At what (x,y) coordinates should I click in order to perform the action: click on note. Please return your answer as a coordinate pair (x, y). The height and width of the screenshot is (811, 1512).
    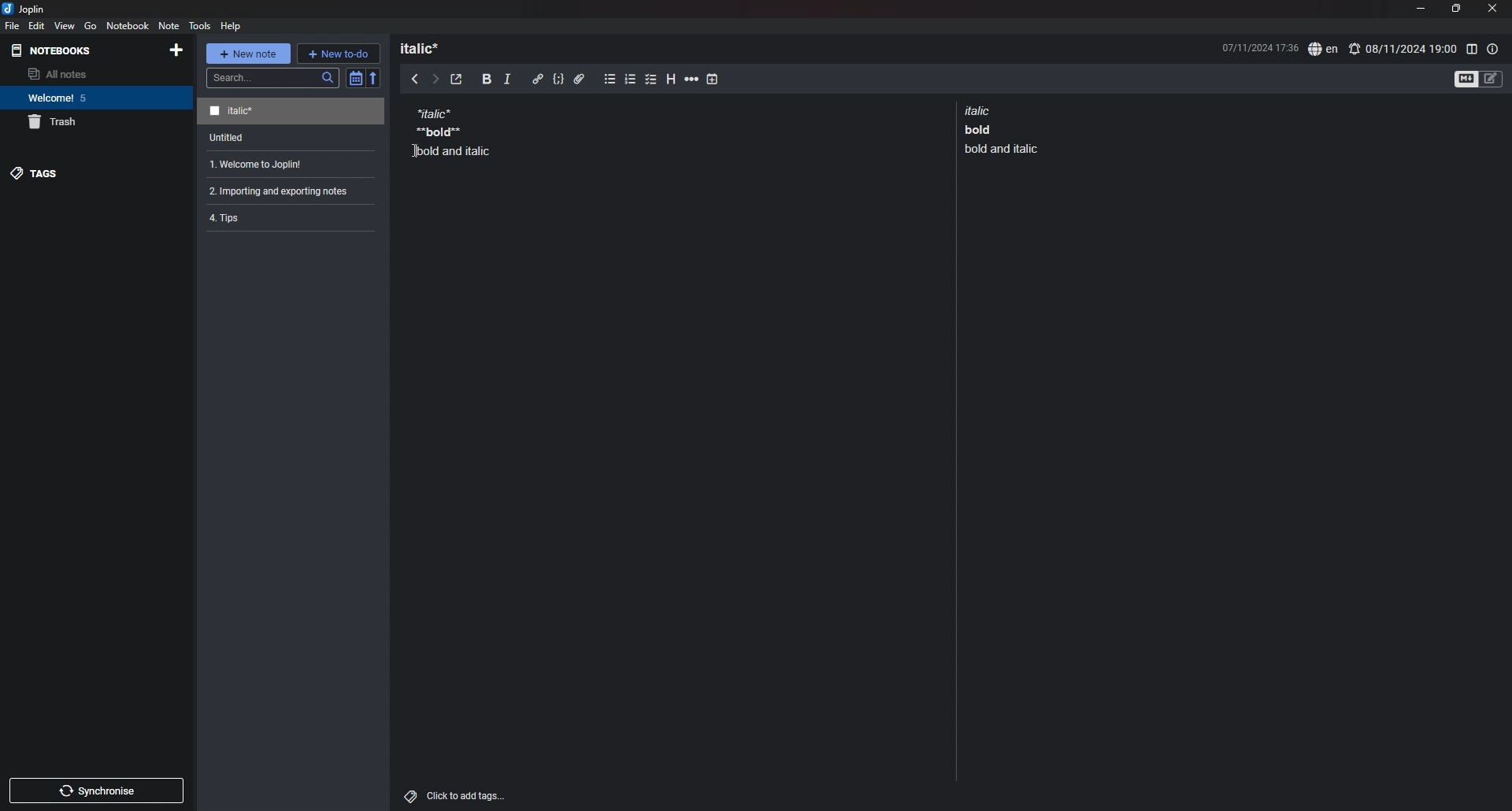
    Looking at the image, I should click on (454, 131).